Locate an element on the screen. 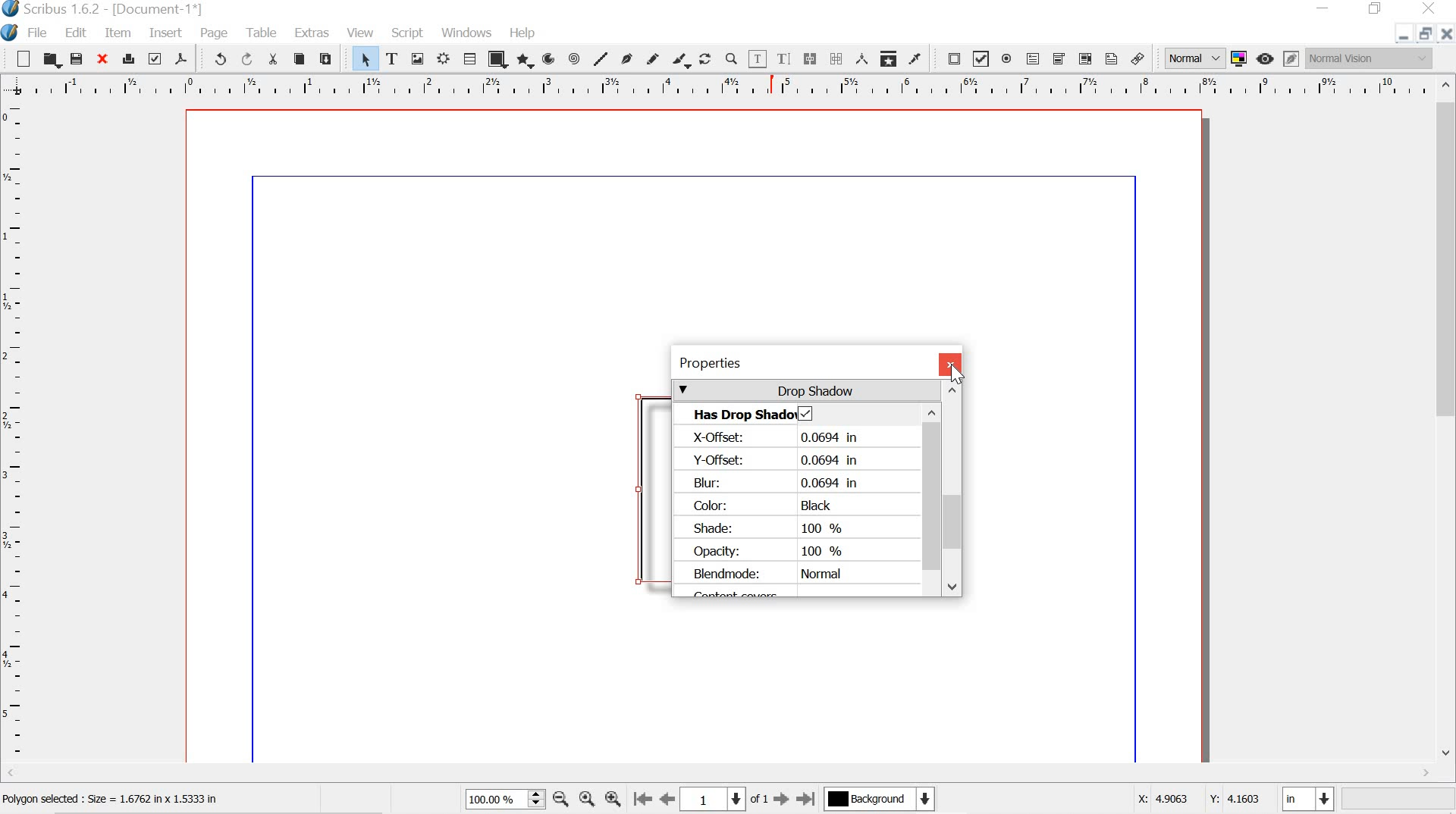  PREVIEW MODE is located at coordinates (1266, 58).